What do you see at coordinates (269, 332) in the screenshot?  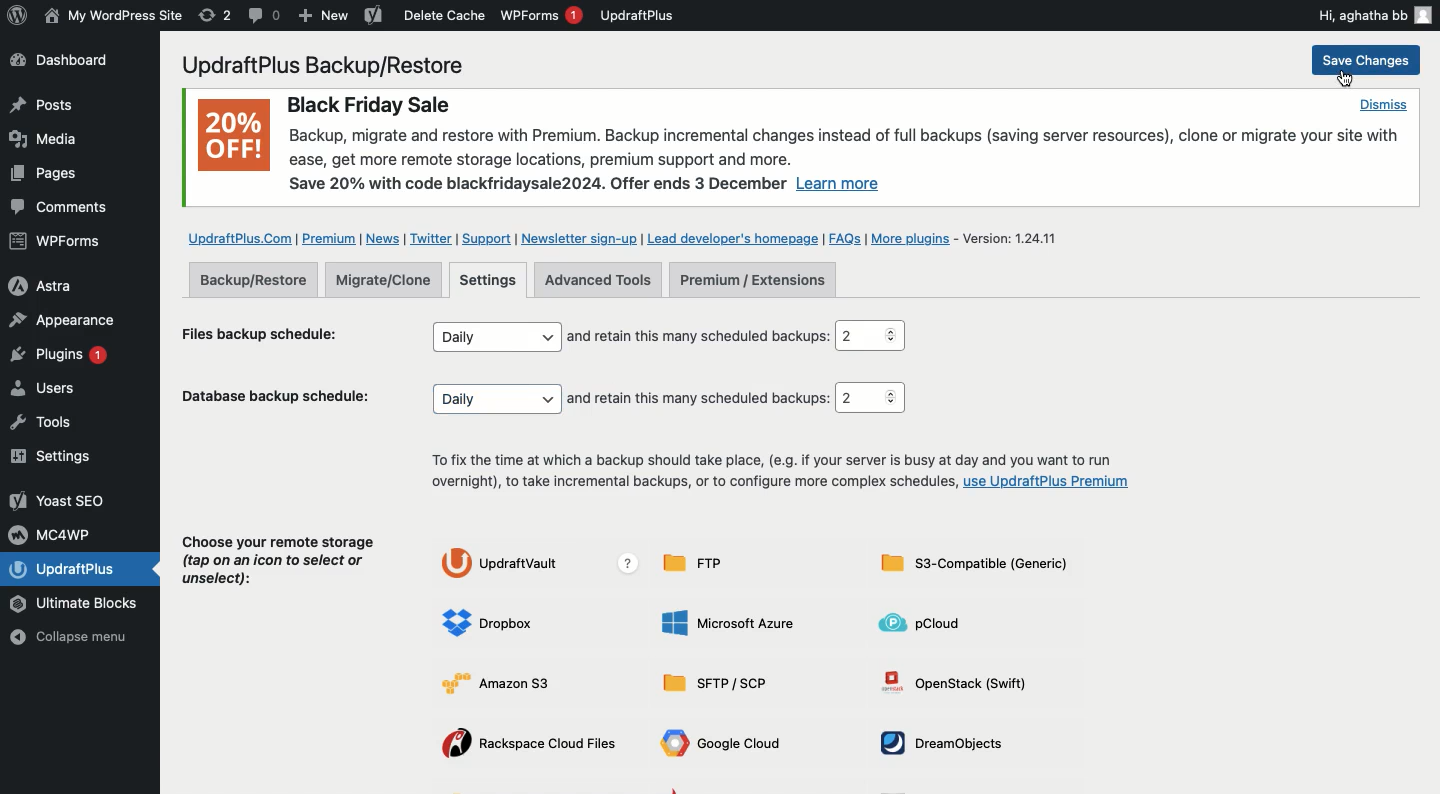 I see `Files backup schedule` at bounding box center [269, 332].